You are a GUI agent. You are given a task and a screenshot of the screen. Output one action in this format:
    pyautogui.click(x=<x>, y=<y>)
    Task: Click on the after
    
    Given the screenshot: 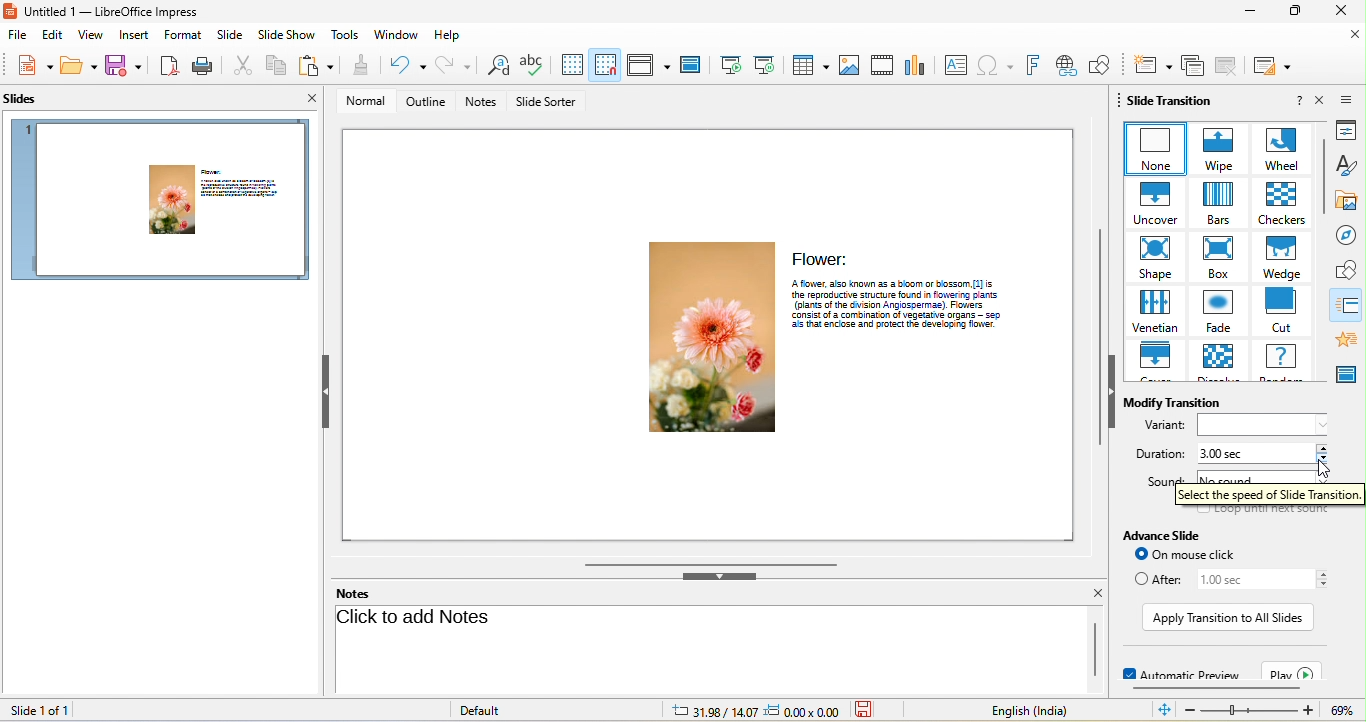 What is the action you would take?
    pyautogui.click(x=1155, y=579)
    